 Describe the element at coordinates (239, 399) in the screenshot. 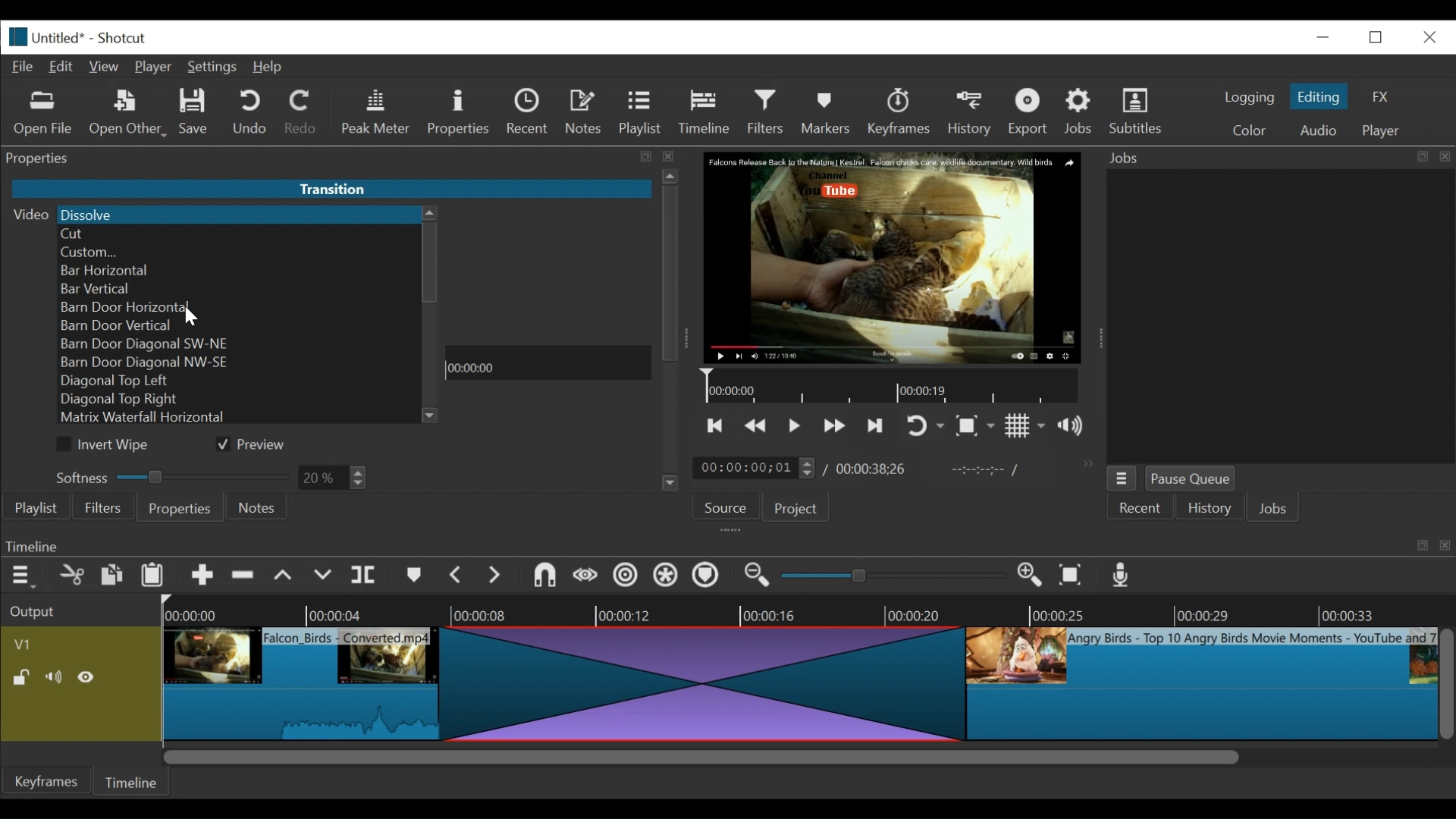

I see `Diagonal Top Right` at that location.